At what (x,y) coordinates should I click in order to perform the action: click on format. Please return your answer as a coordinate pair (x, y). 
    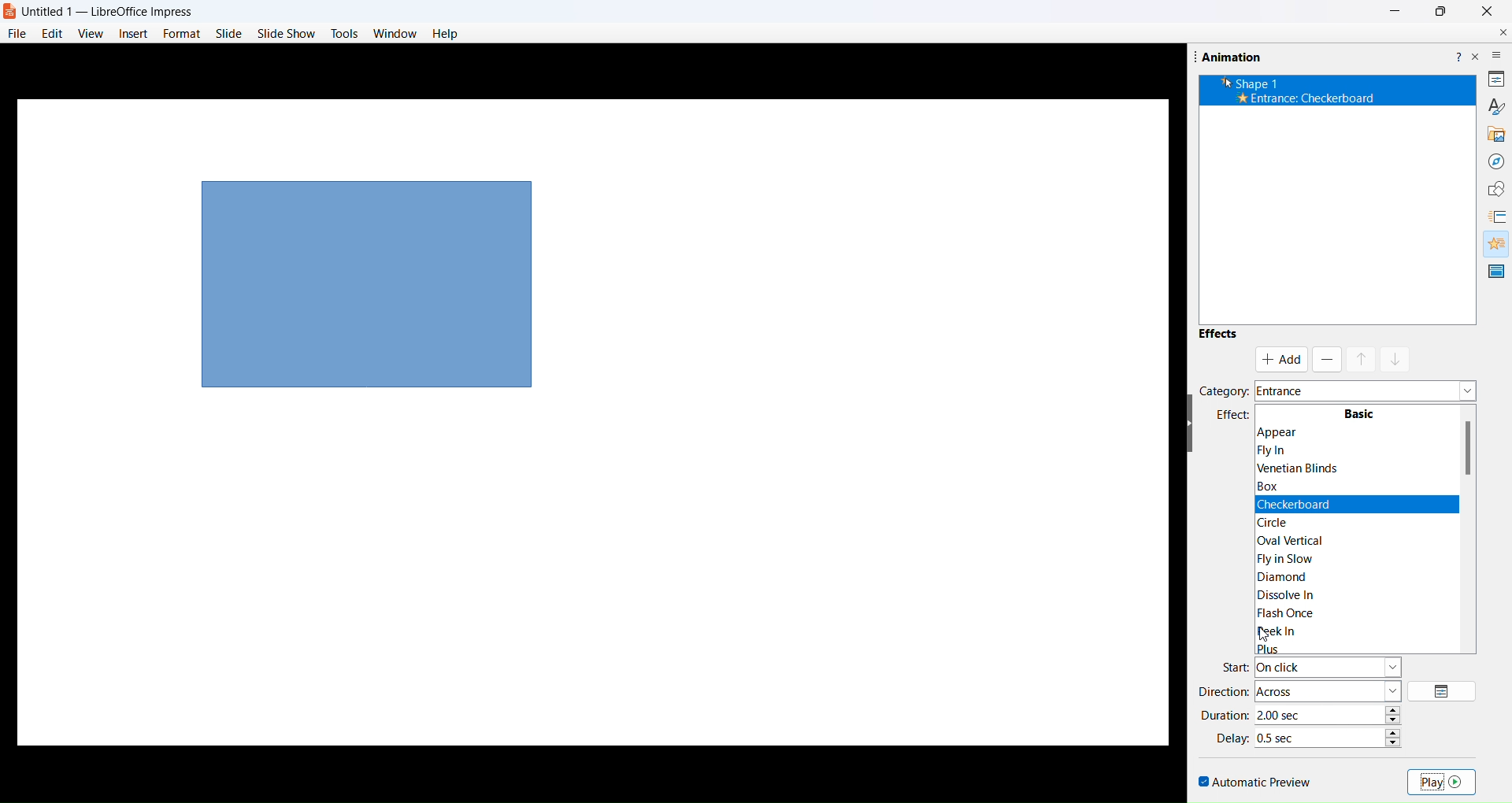
    Looking at the image, I should click on (180, 32).